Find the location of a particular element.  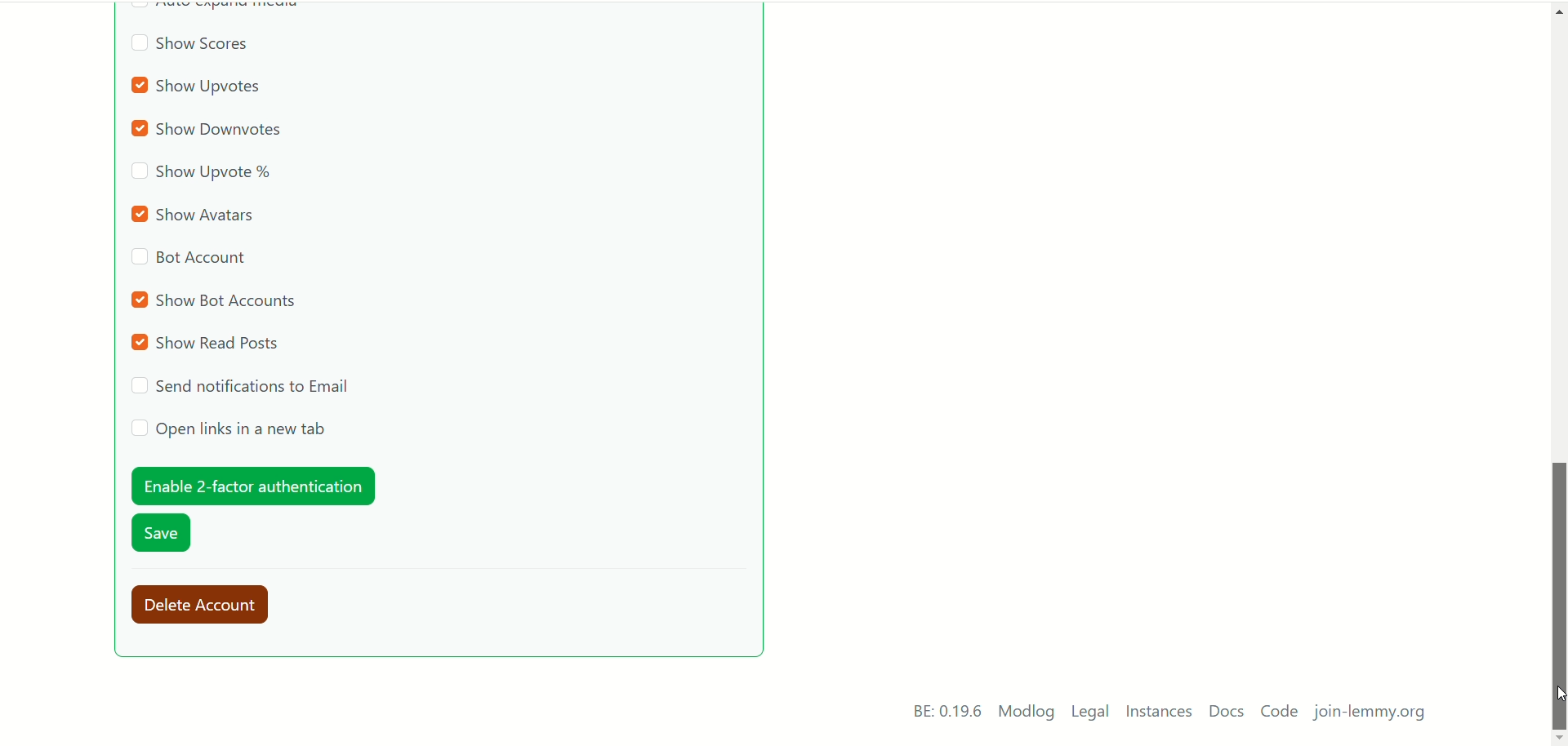

enable 2 factor authentication is located at coordinates (251, 486).